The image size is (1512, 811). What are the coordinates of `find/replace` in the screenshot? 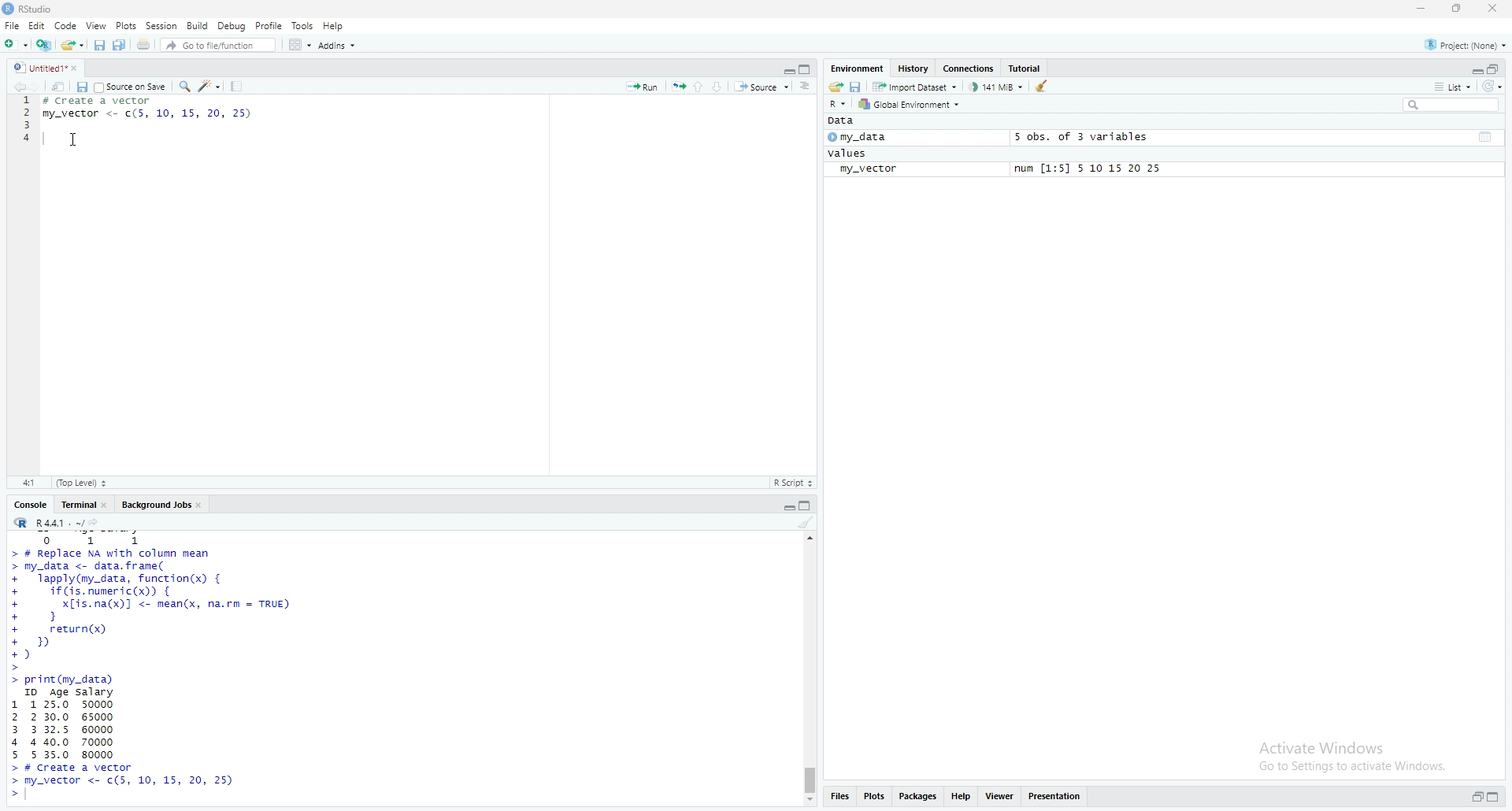 It's located at (186, 87).